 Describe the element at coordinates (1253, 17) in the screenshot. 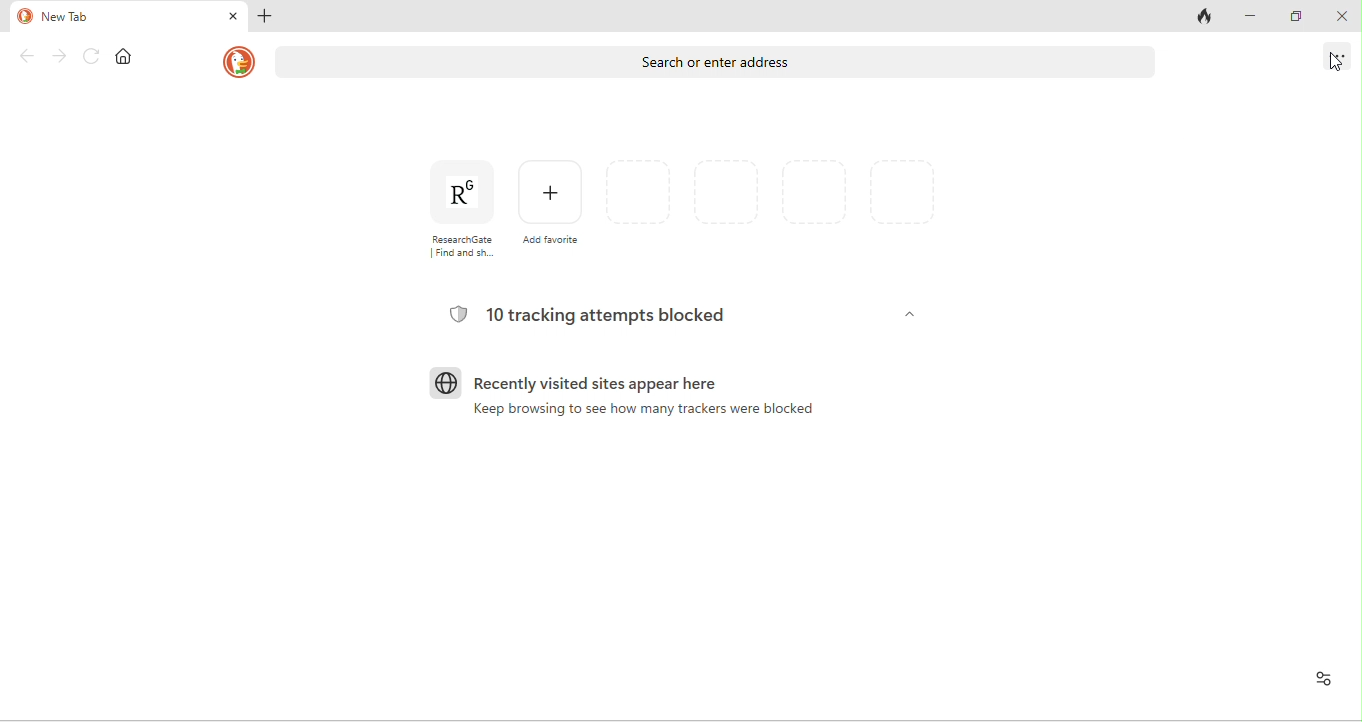

I see `minimize` at that location.